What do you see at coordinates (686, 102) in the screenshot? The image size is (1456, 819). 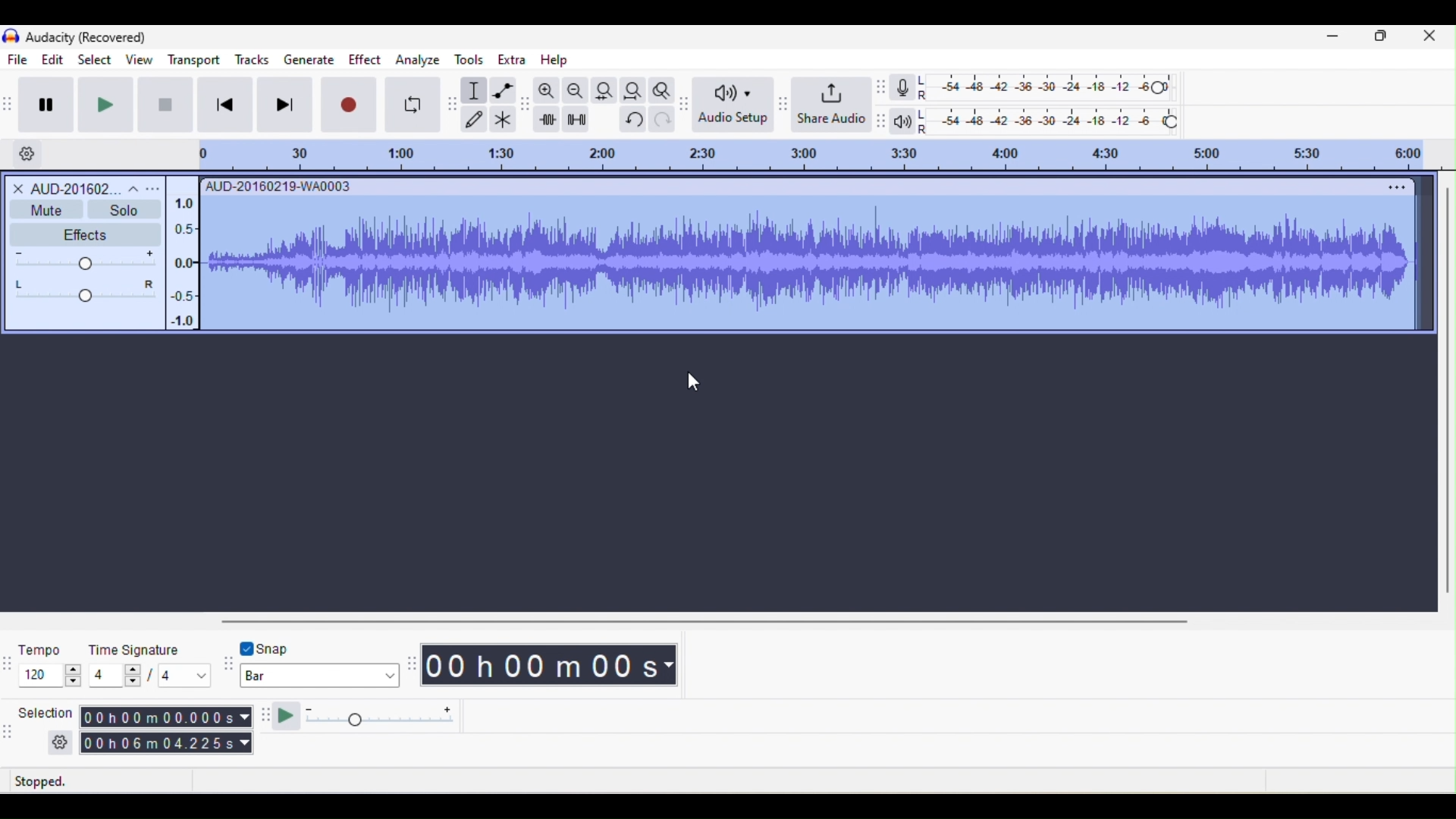 I see `audacity audio setup` at bounding box center [686, 102].